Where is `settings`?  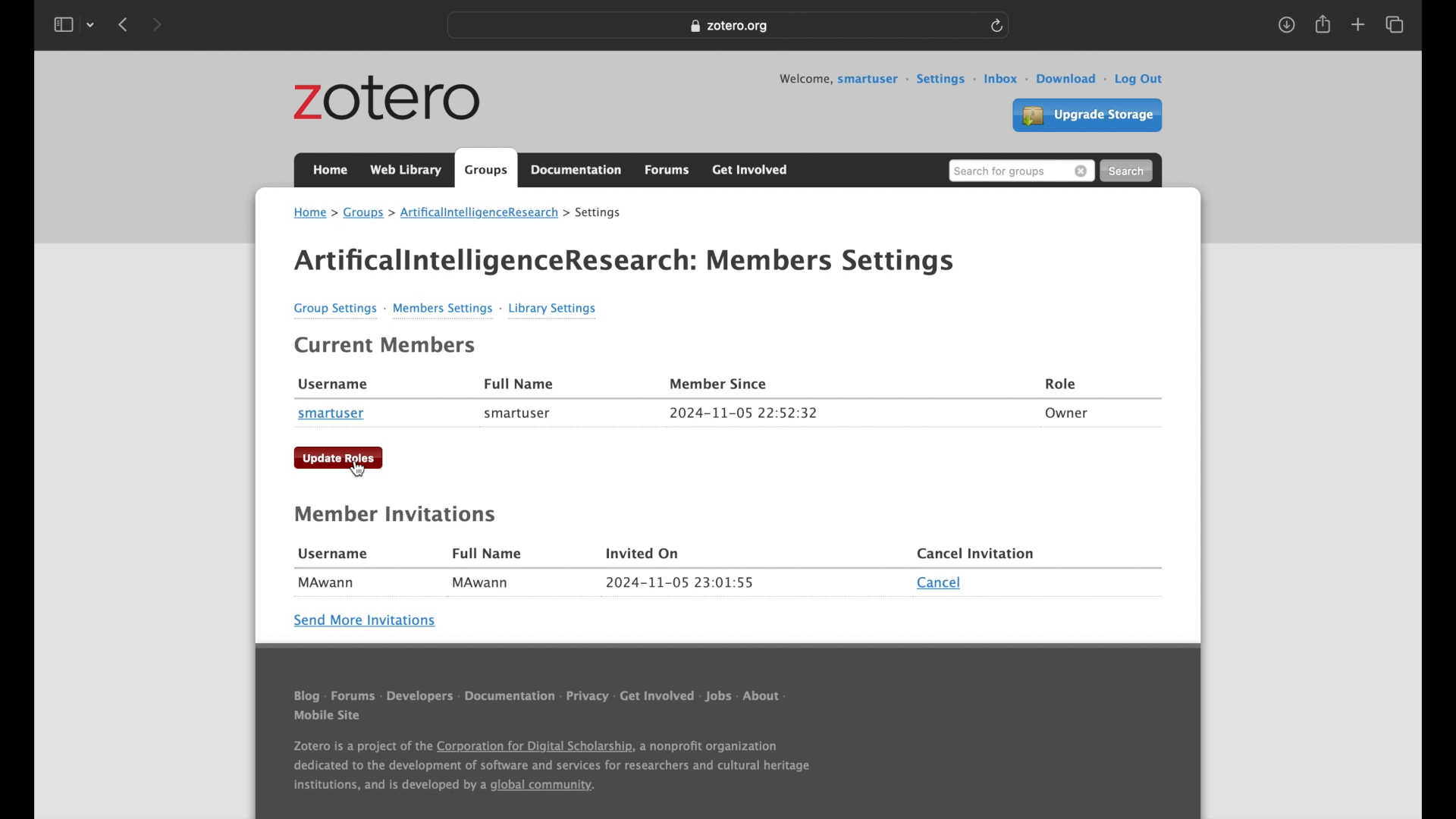 settings is located at coordinates (600, 213).